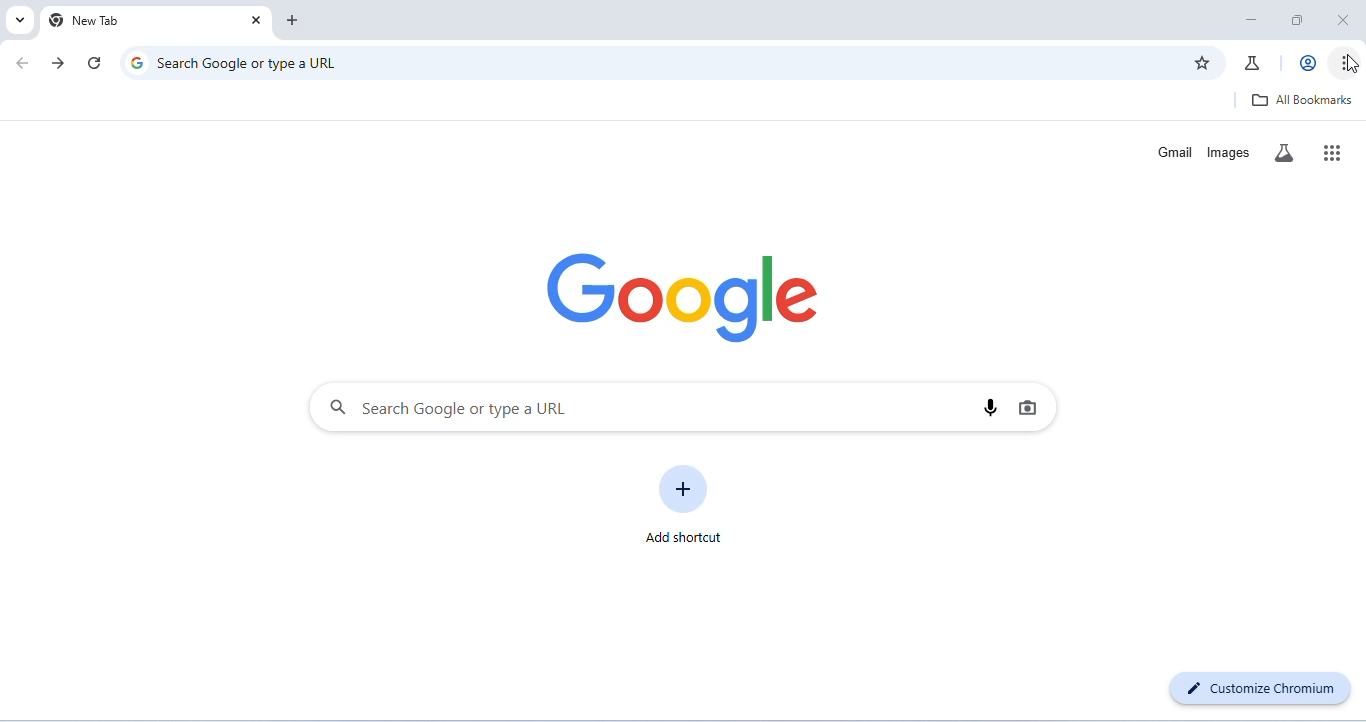  What do you see at coordinates (1171, 151) in the screenshot?
I see `gmail` at bounding box center [1171, 151].